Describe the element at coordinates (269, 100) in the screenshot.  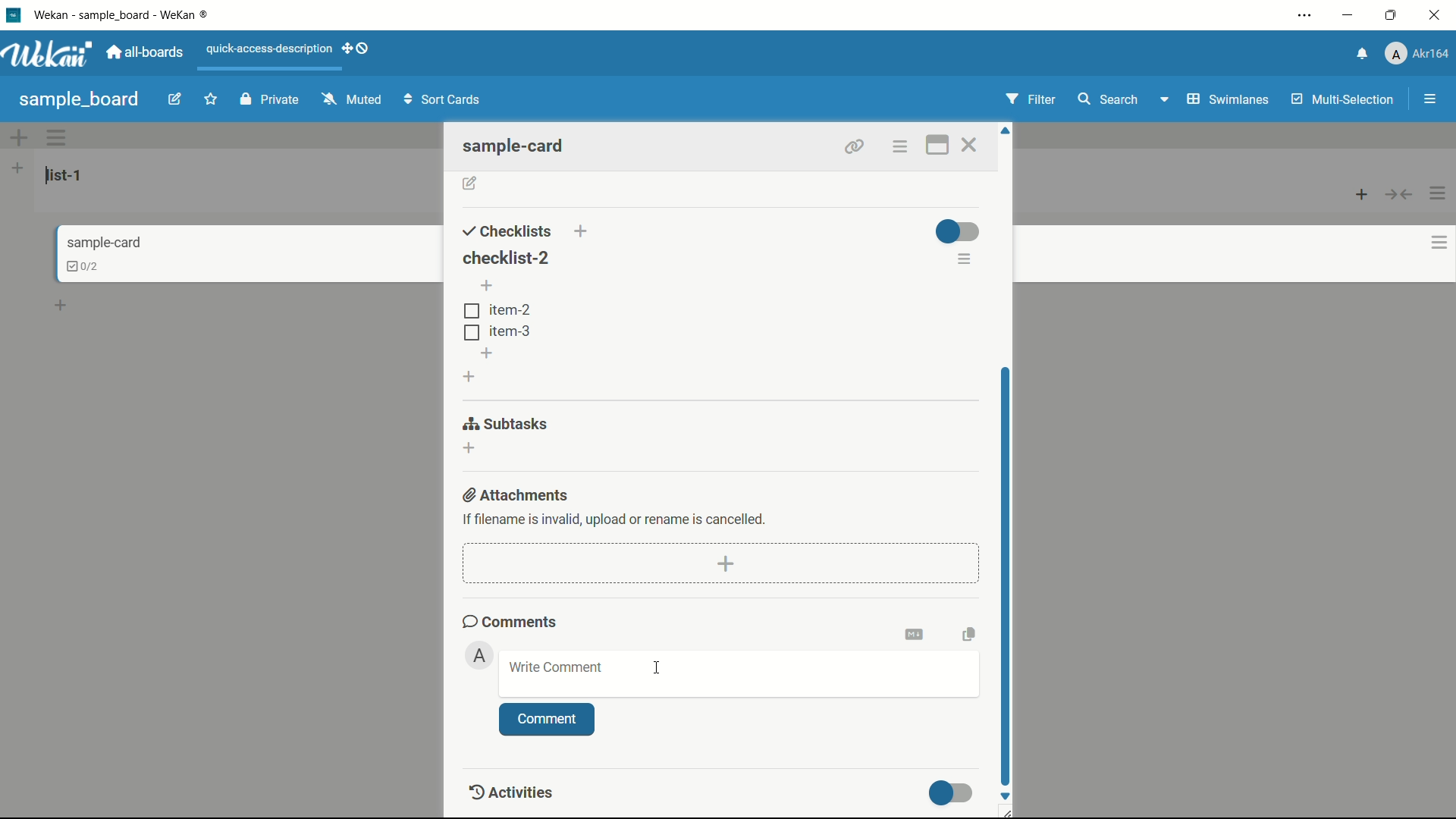
I see `private` at that location.